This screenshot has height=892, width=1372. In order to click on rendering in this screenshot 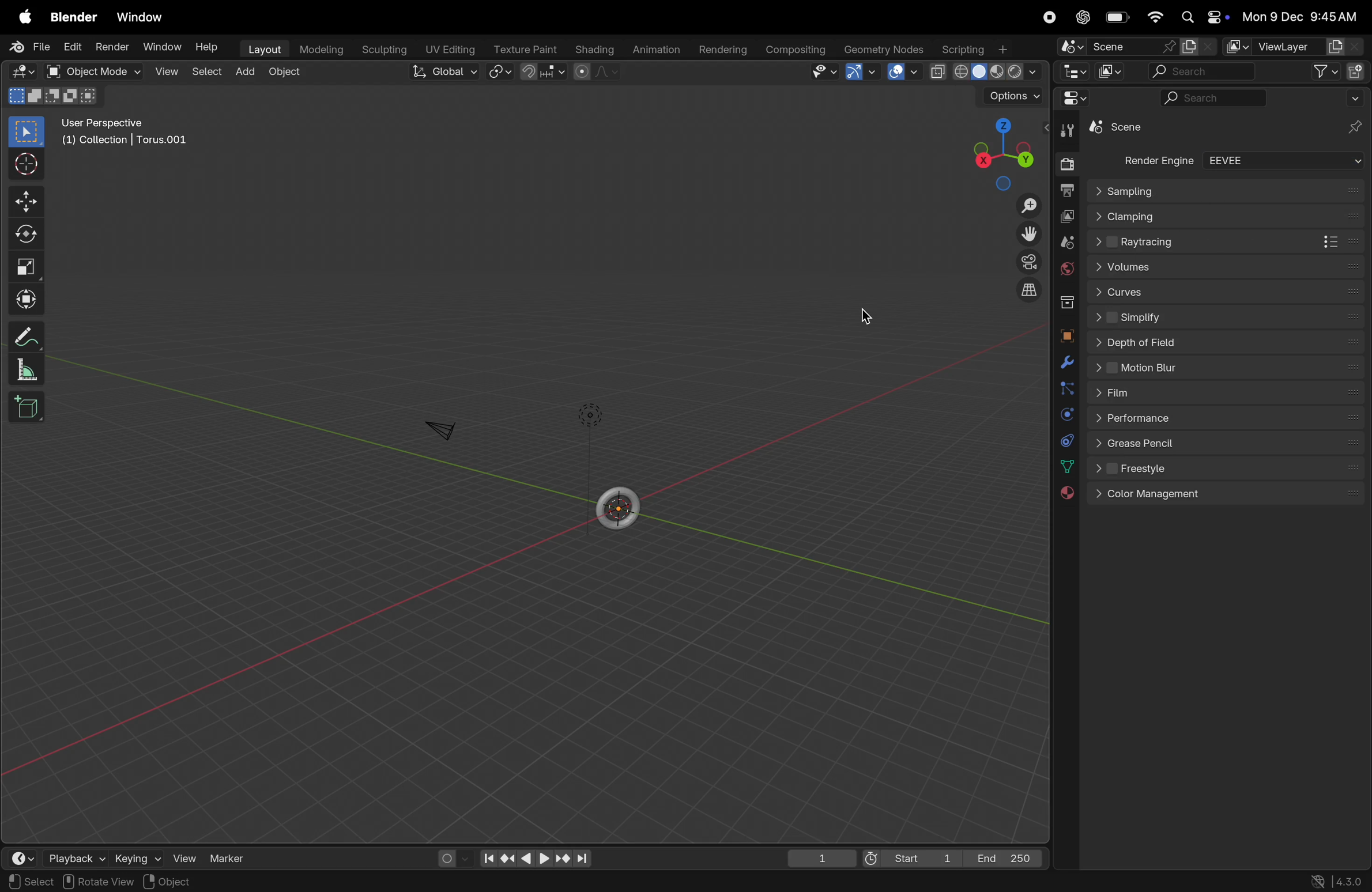, I will do `click(725, 48)`.